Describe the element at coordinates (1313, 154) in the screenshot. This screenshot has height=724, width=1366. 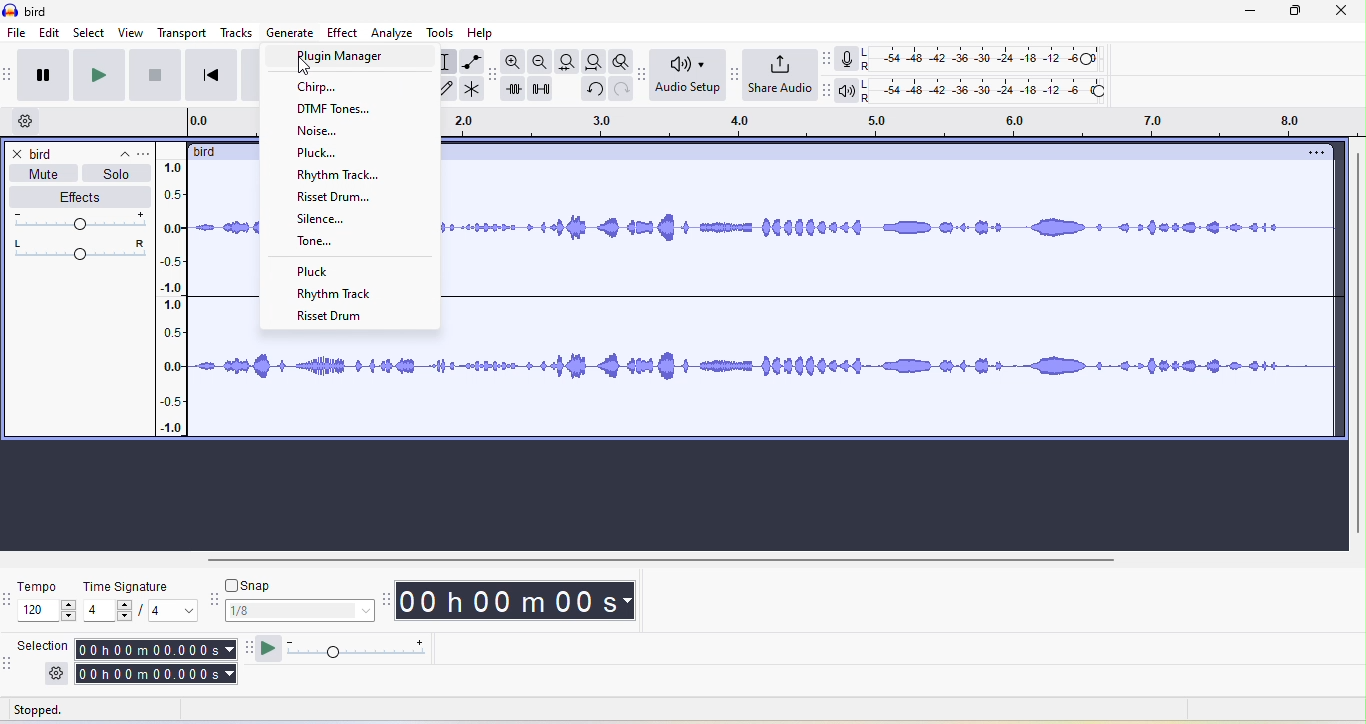
I see `option` at that location.